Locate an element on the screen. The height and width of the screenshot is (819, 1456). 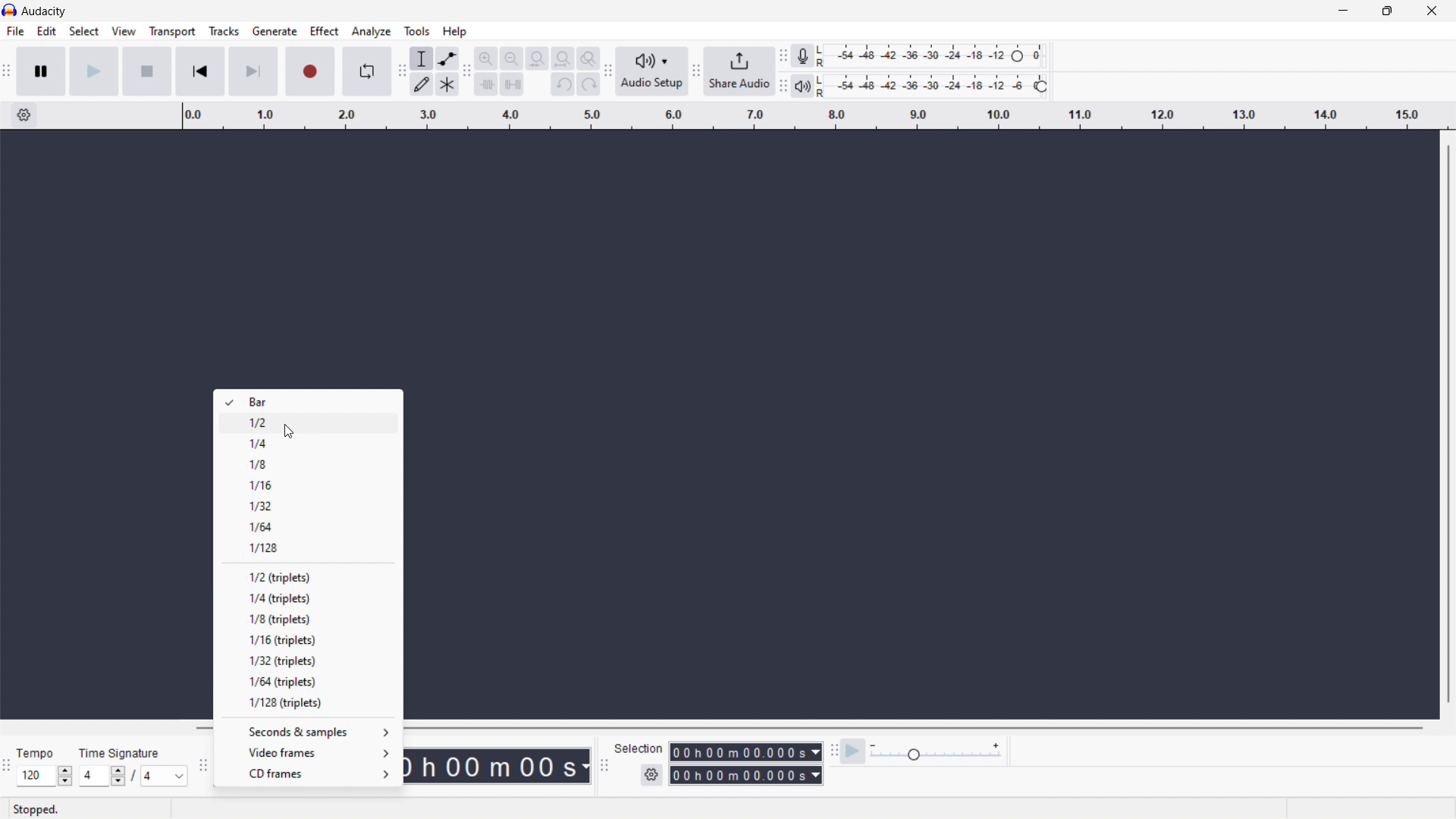
snapping toolbar is located at coordinates (202, 764).